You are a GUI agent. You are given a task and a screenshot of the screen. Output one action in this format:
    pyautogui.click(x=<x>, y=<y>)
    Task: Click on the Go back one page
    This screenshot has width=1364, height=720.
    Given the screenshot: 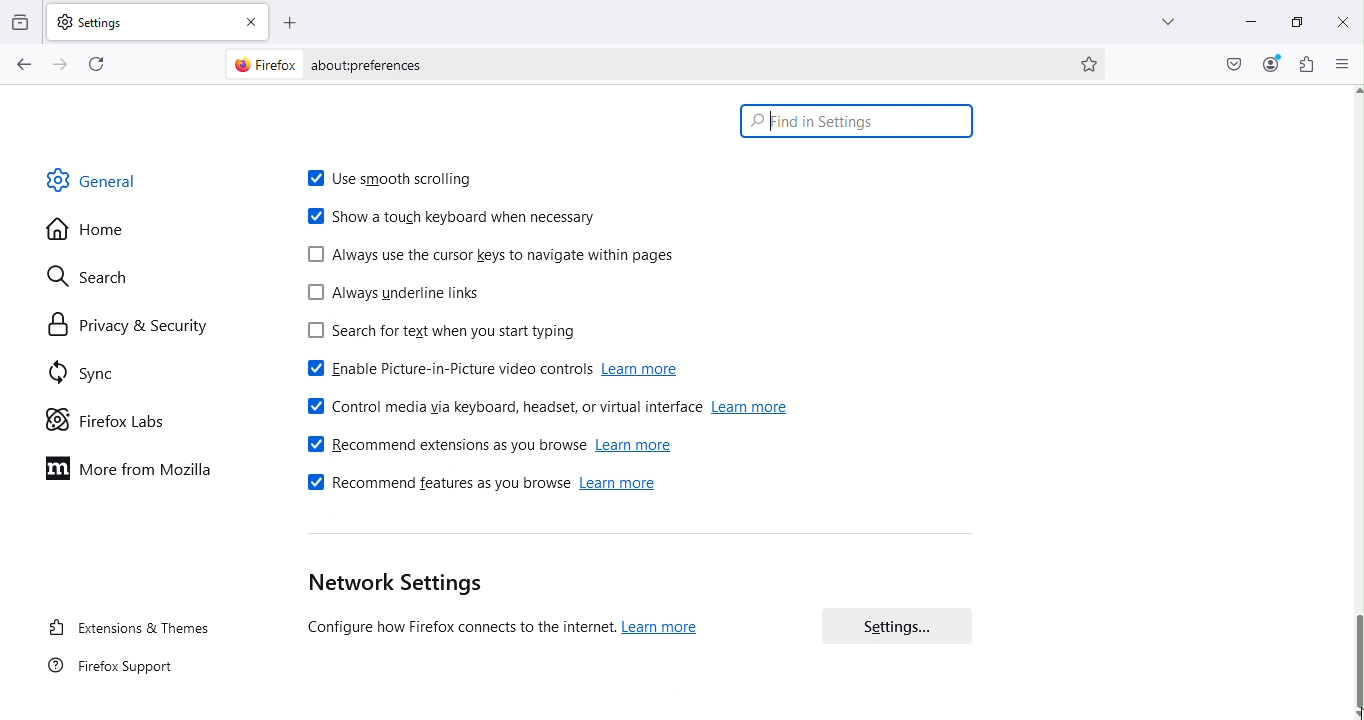 What is the action you would take?
    pyautogui.click(x=22, y=65)
    